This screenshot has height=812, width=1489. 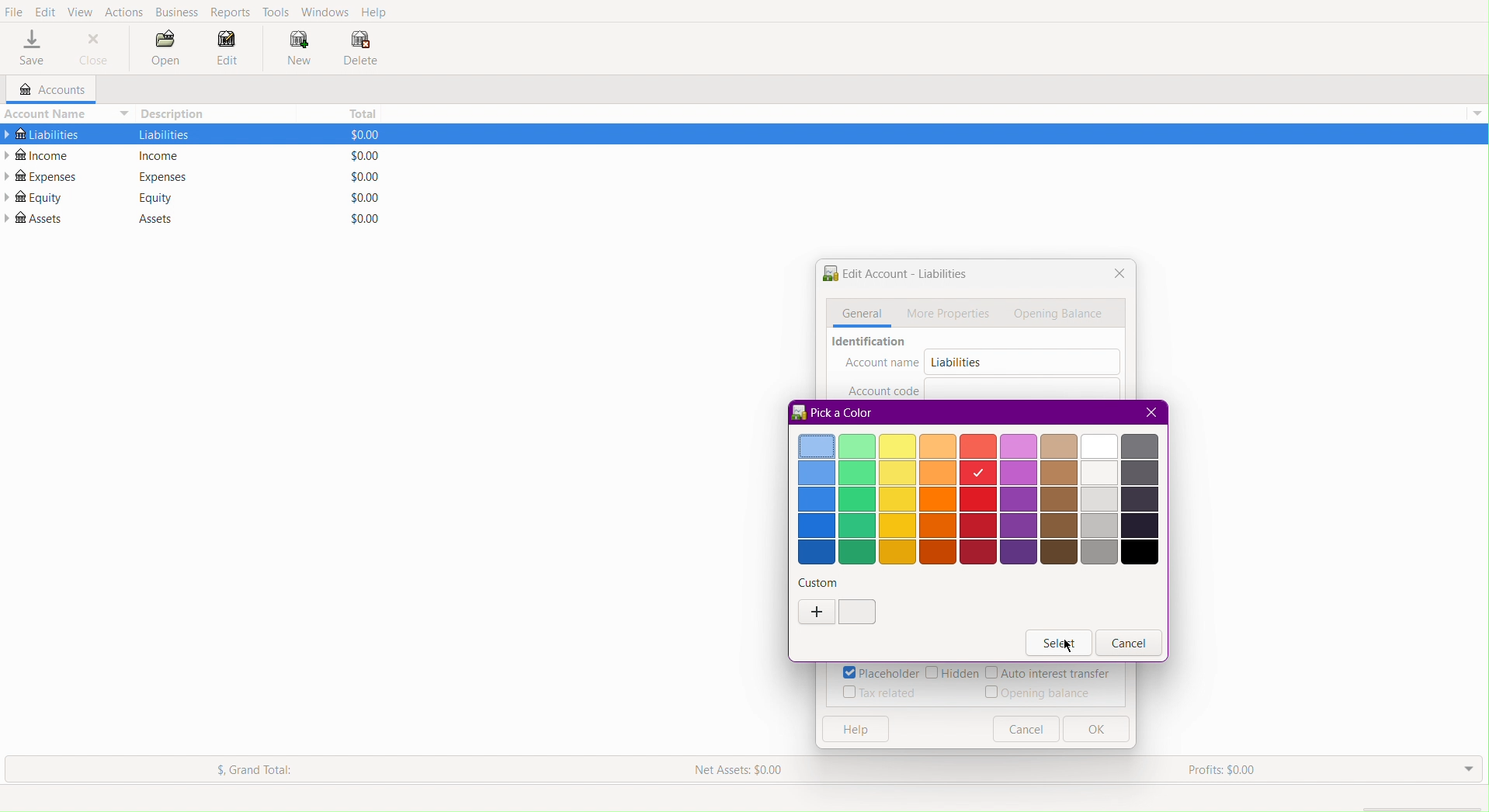 I want to click on $0.00, so click(x=359, y=155).